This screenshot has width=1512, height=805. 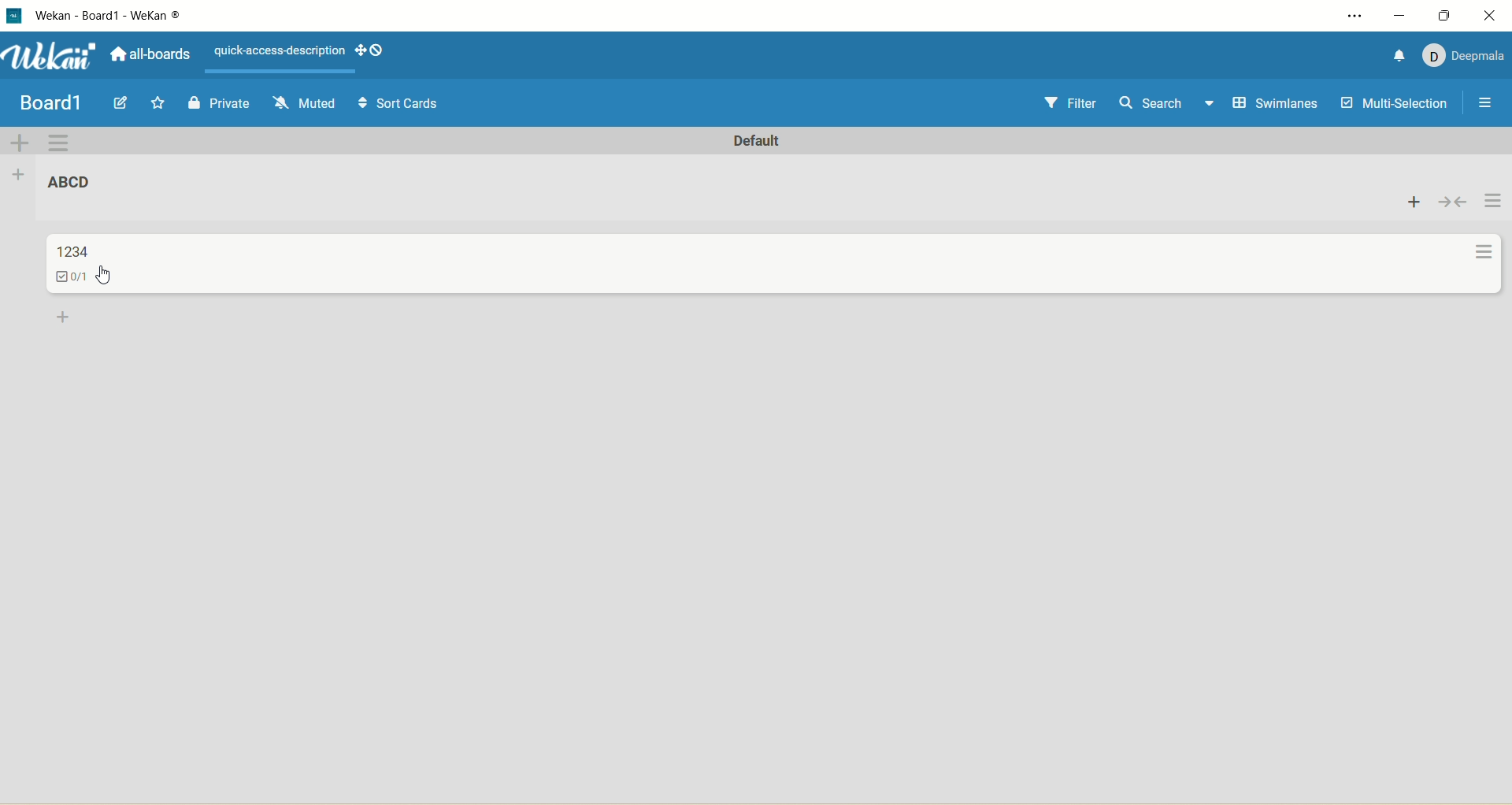 I want to click on search, so click(x=1165, y=106).